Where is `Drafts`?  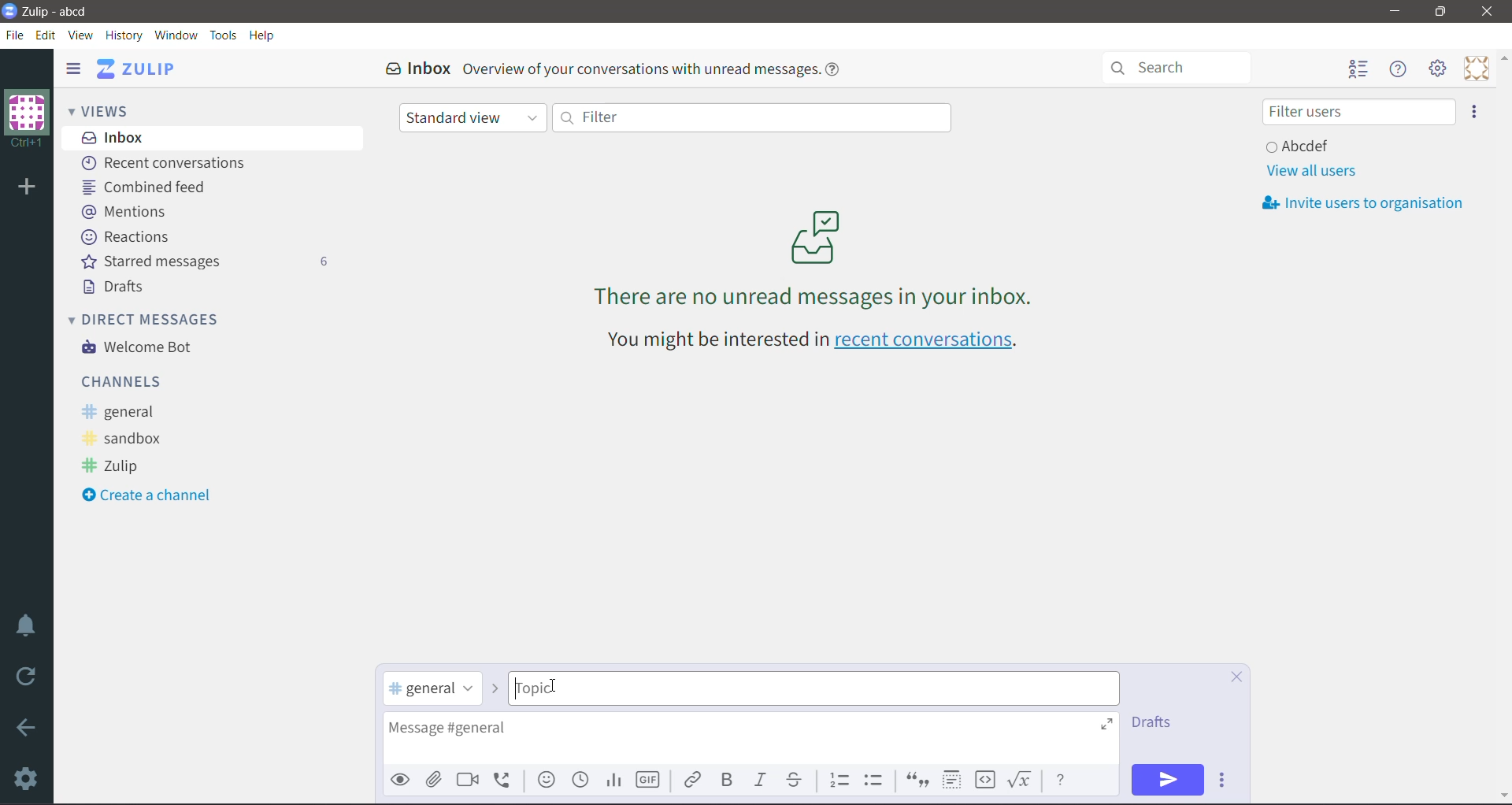
Drafts is located at coordinates (1157, 722).